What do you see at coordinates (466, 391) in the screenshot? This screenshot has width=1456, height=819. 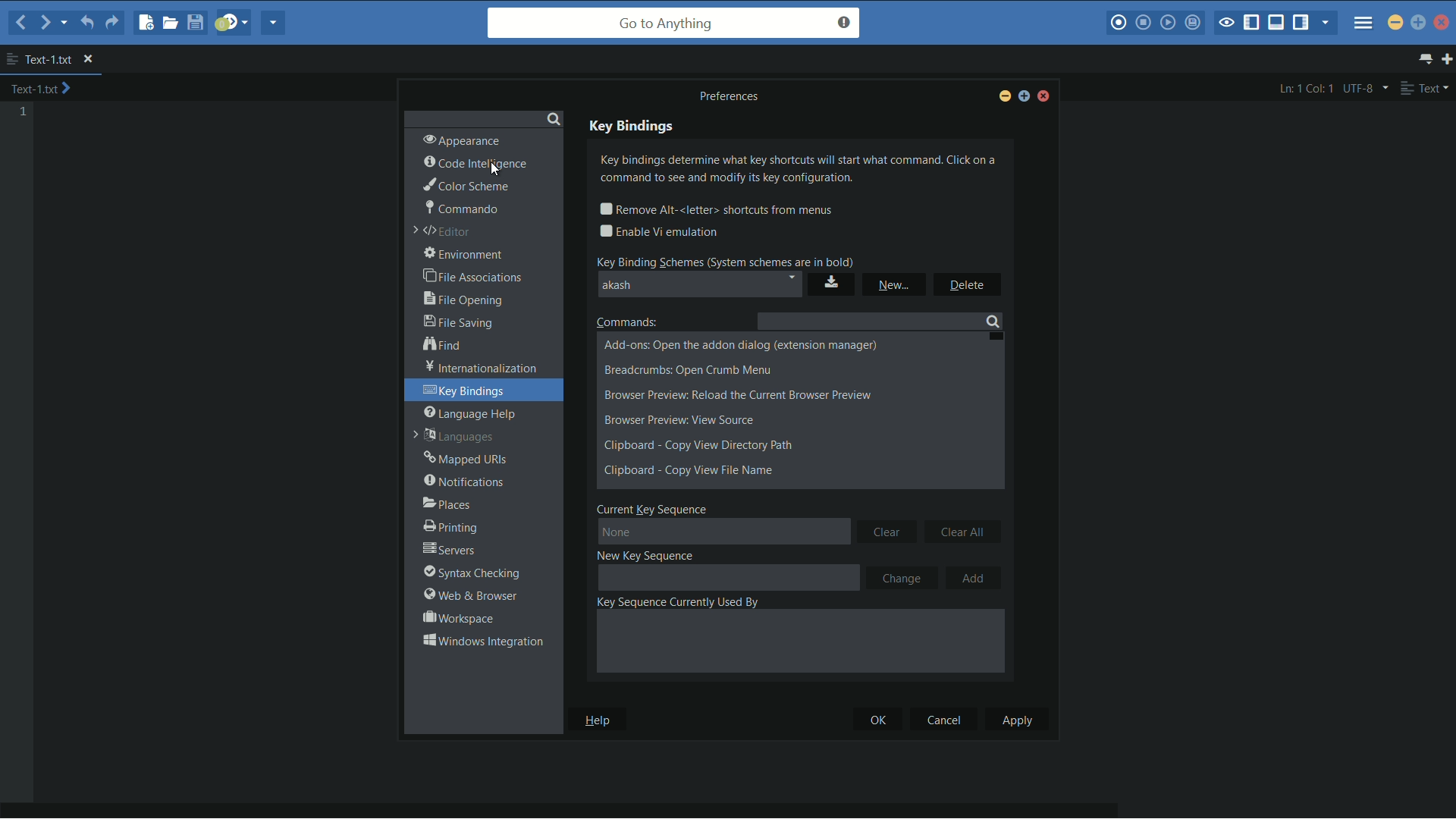 I see `key bindings` at bounding box center [466, 391].